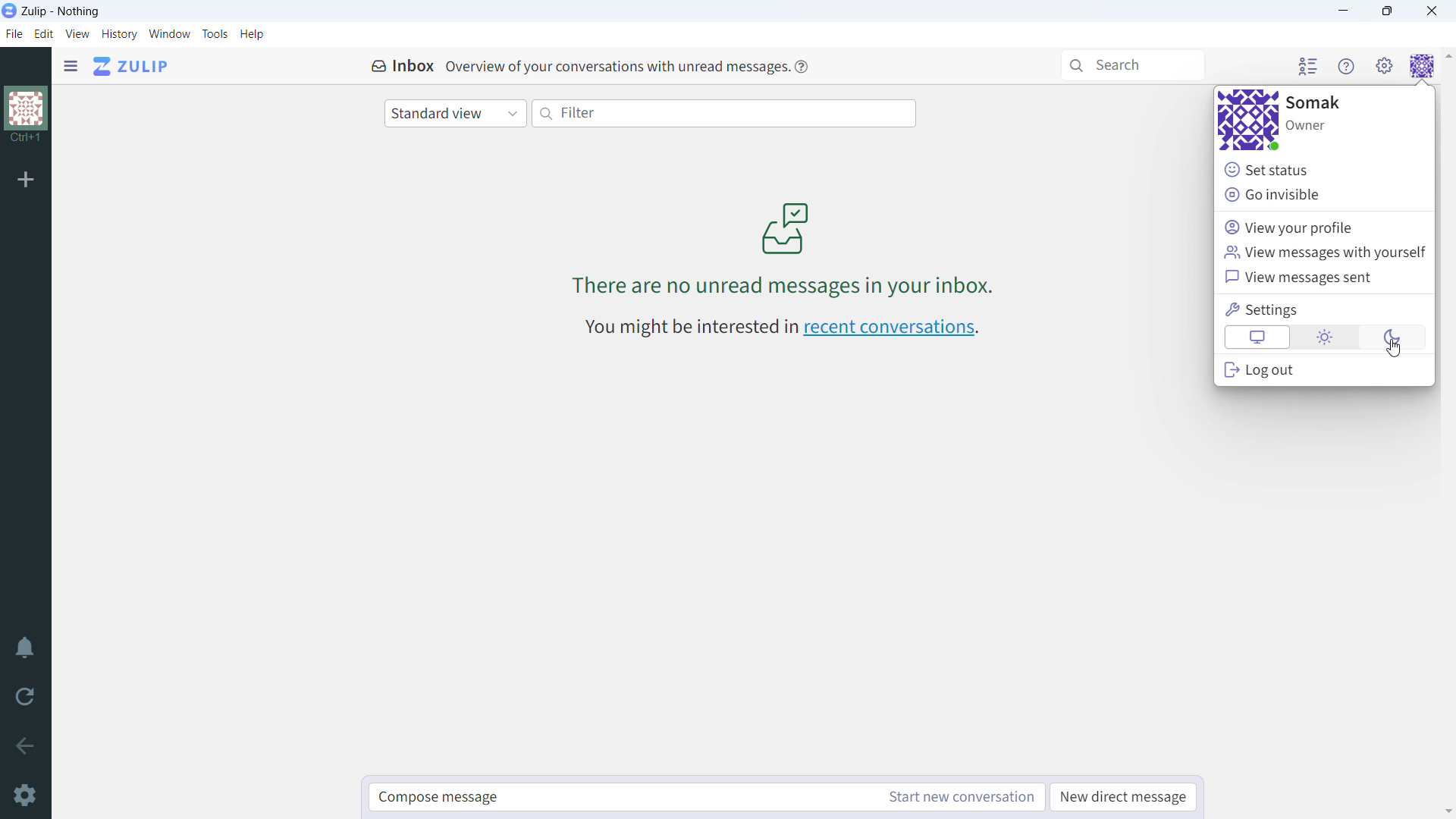 The image size is (1456, 819). I want to click on new direct message, so click(1122, 798).